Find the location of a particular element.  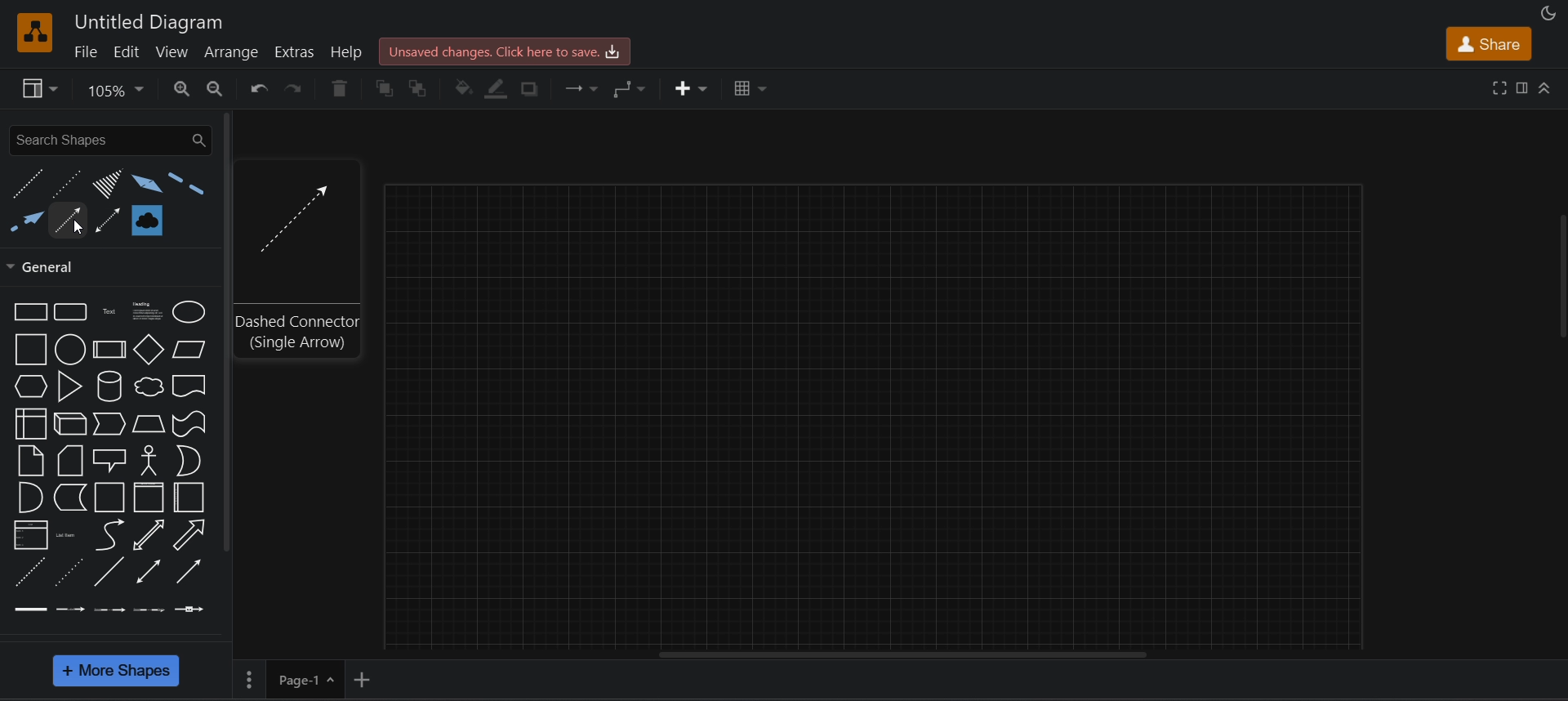

dashed line is located at coordinates (25, 571).